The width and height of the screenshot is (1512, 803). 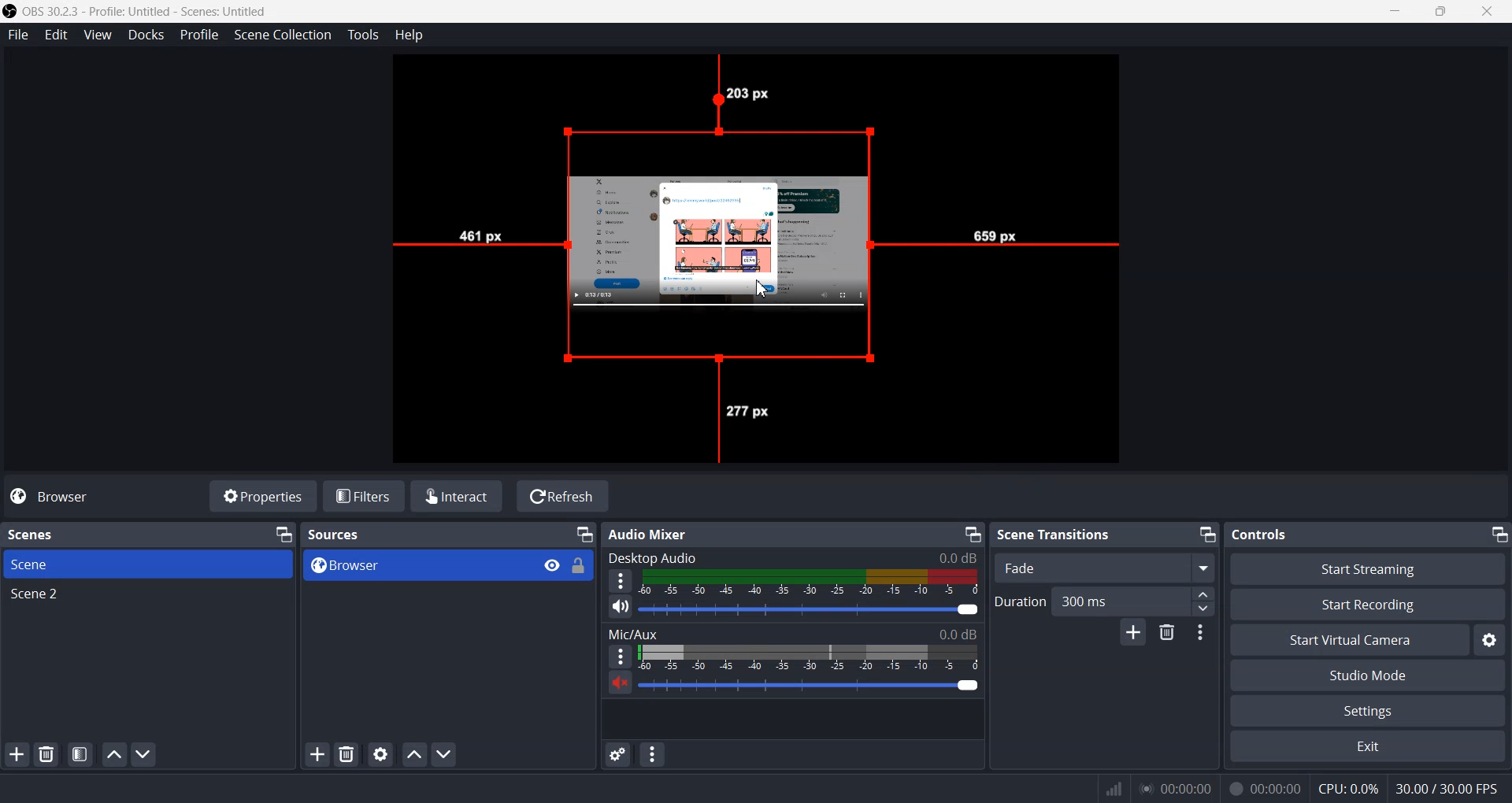 What do you see at coordinates (363, 35) in the screenshot?
I see `Tools` at bounding box center [363, 35].